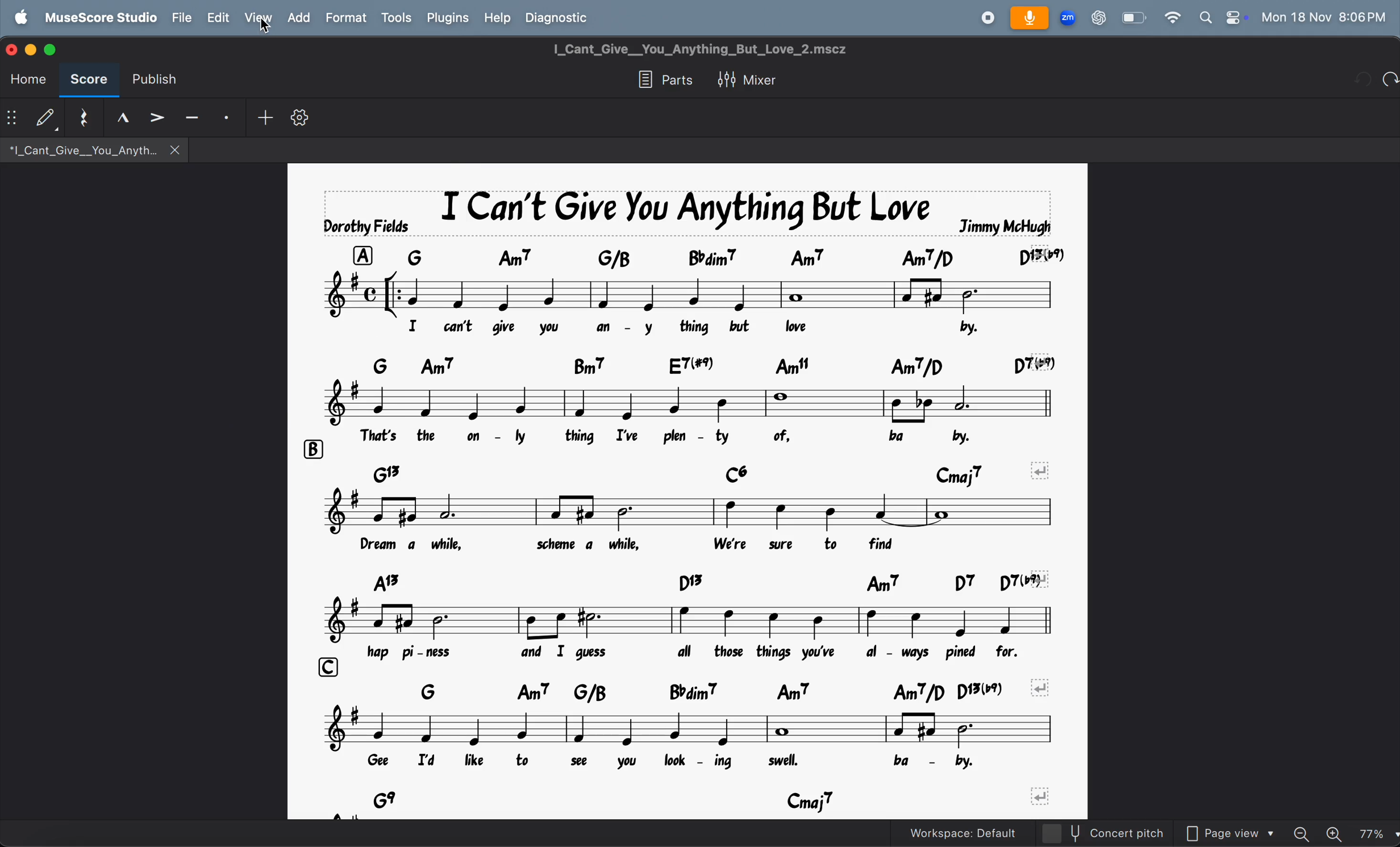 Image resolution: width=1400 pixels, height=847 pixels. I want to click on chatgpt, so click(1098, 18).